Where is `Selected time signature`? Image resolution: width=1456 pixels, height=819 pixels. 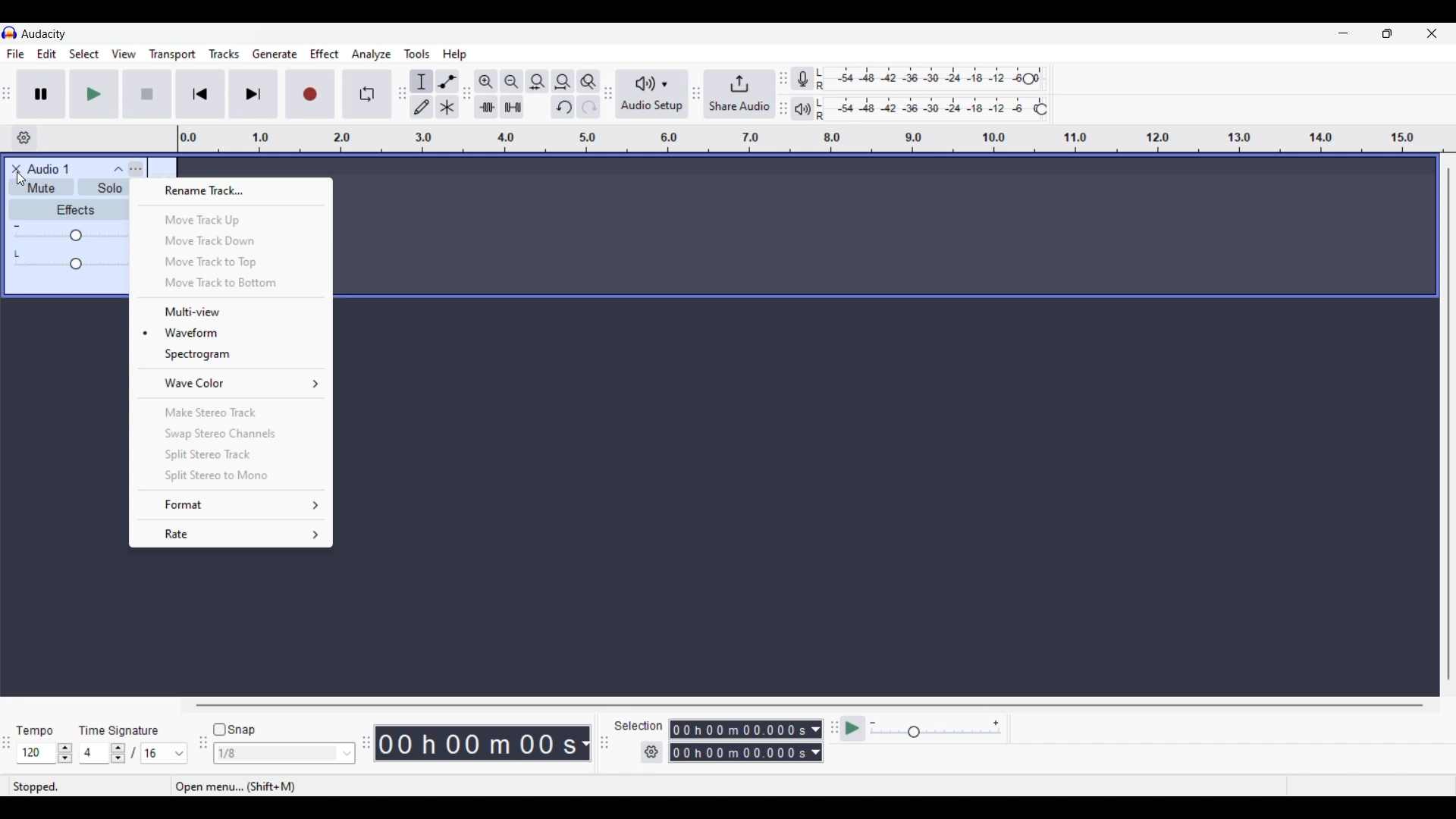
Selected time signature is located at coordinates (156, 754).